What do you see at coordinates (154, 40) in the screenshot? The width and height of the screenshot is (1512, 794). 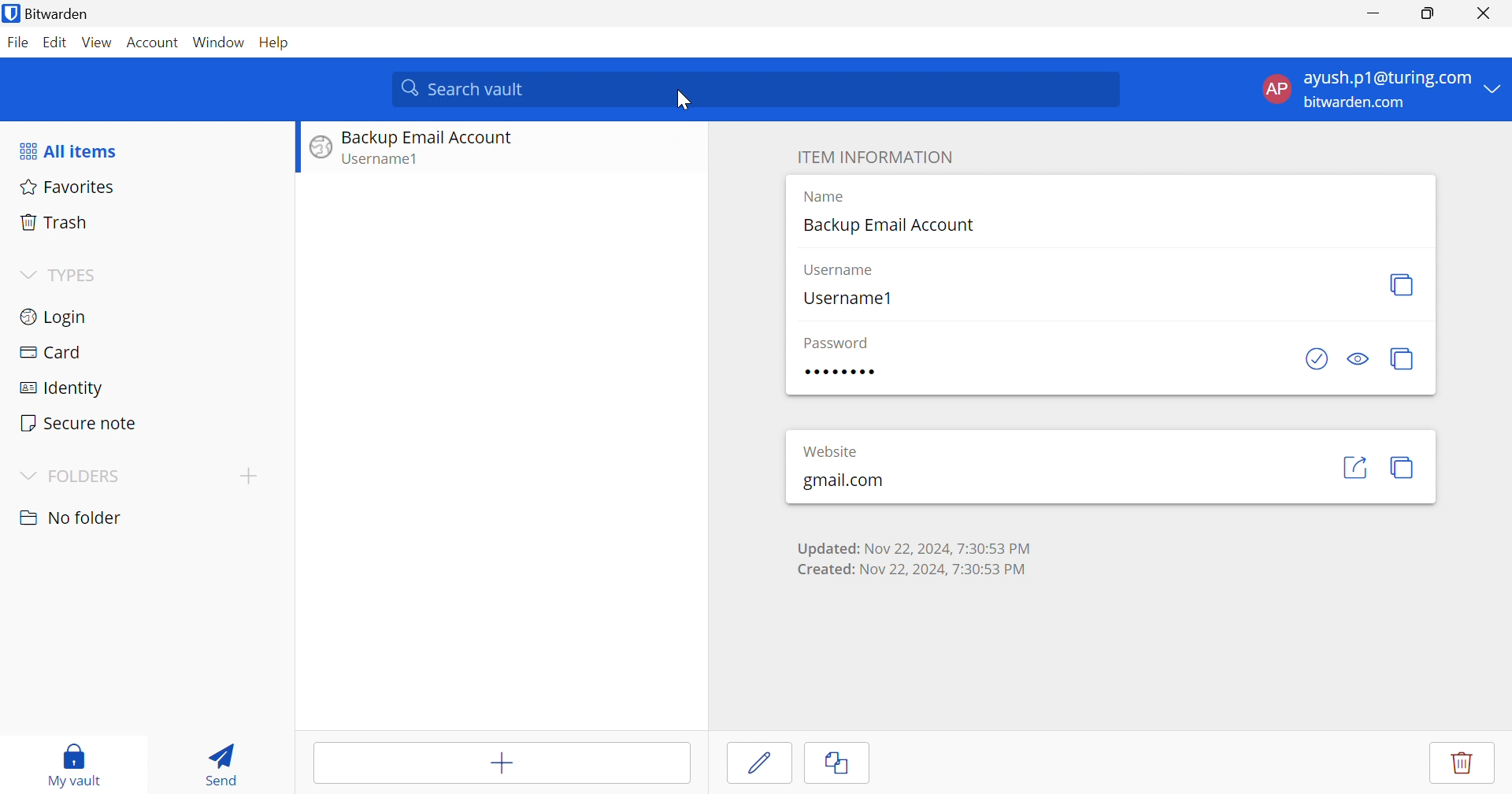 I see `Account` at bounding box center [154, 40].